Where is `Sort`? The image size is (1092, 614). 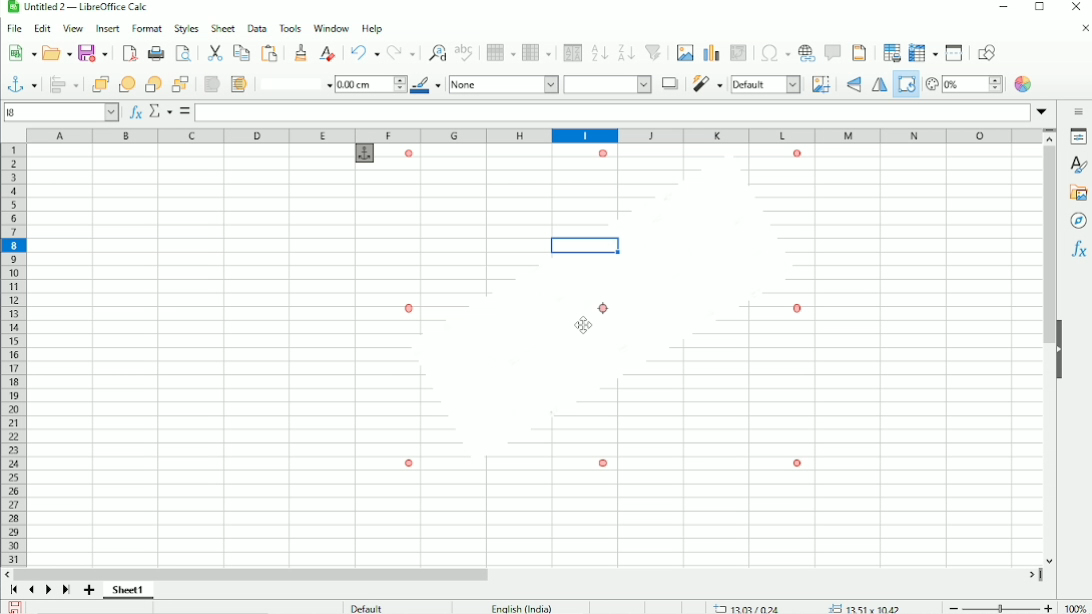 Sort is located at coordinates (572, 53).